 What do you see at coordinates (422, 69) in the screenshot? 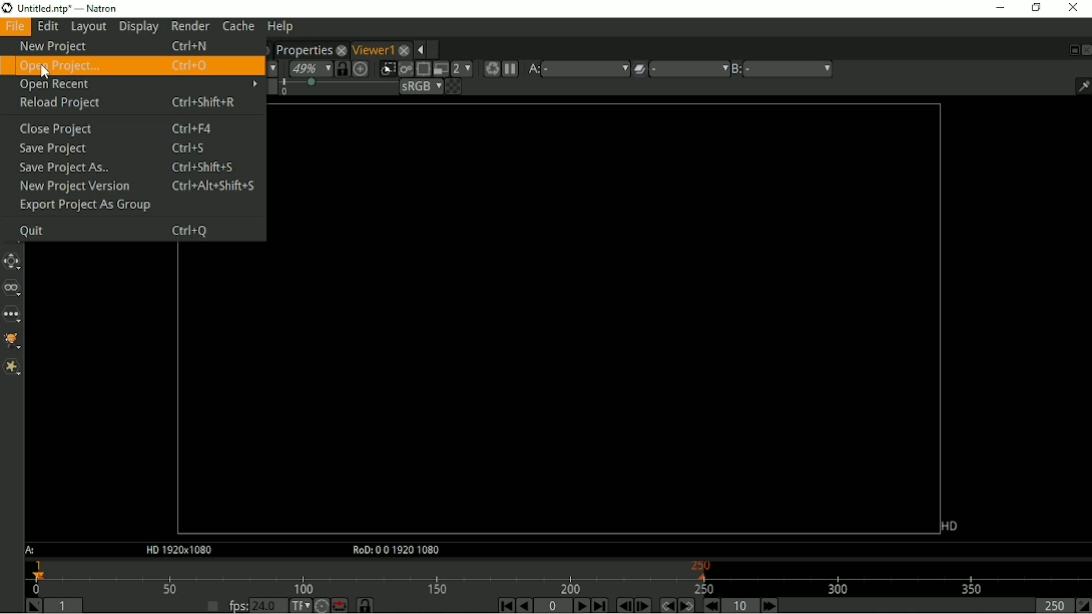
I see `Enables the region of interest that enables the portion of the viewer that is kept updated` at bounding box center [422, 69].